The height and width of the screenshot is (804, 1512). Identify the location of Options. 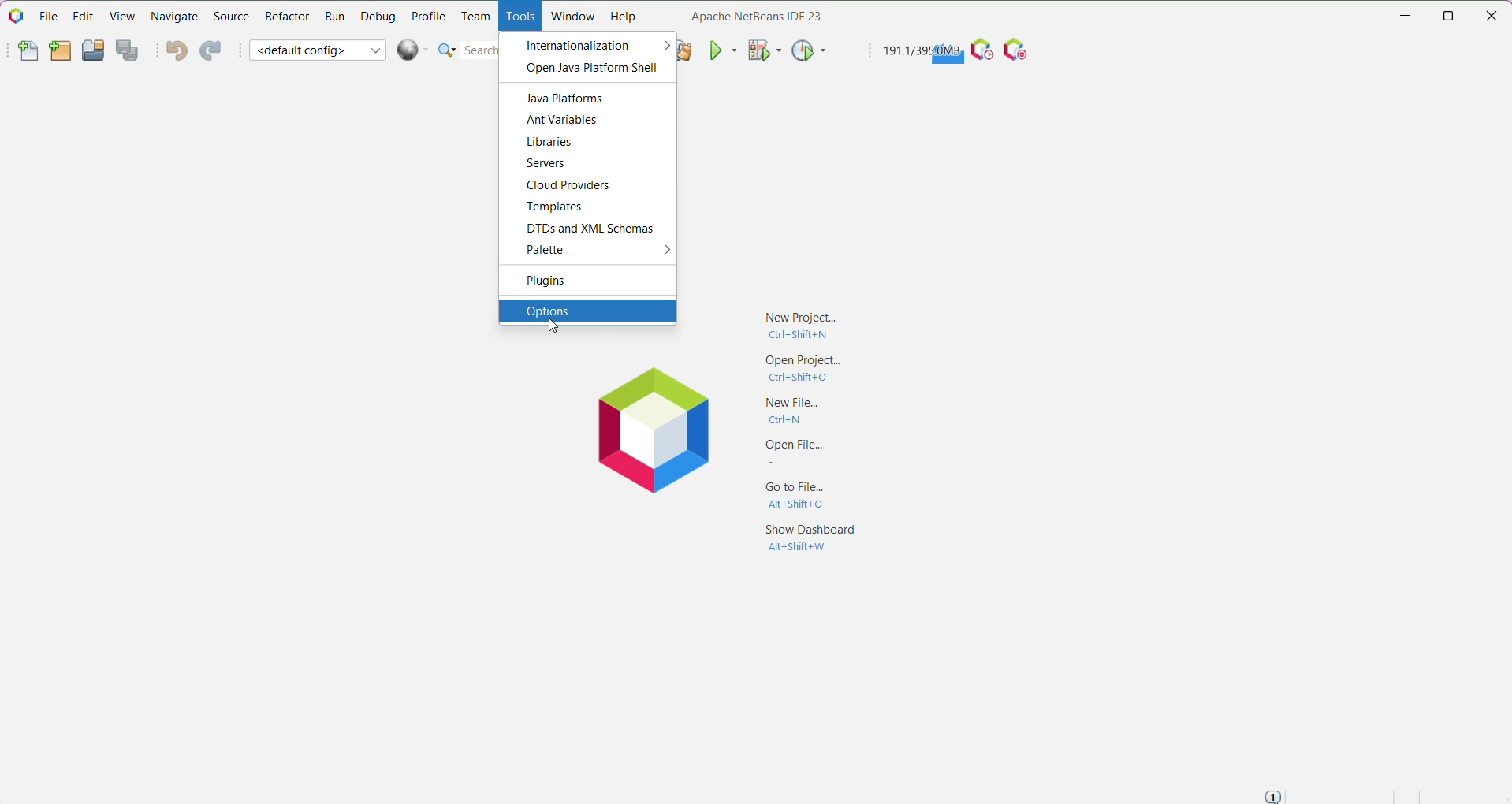
(587, 310).